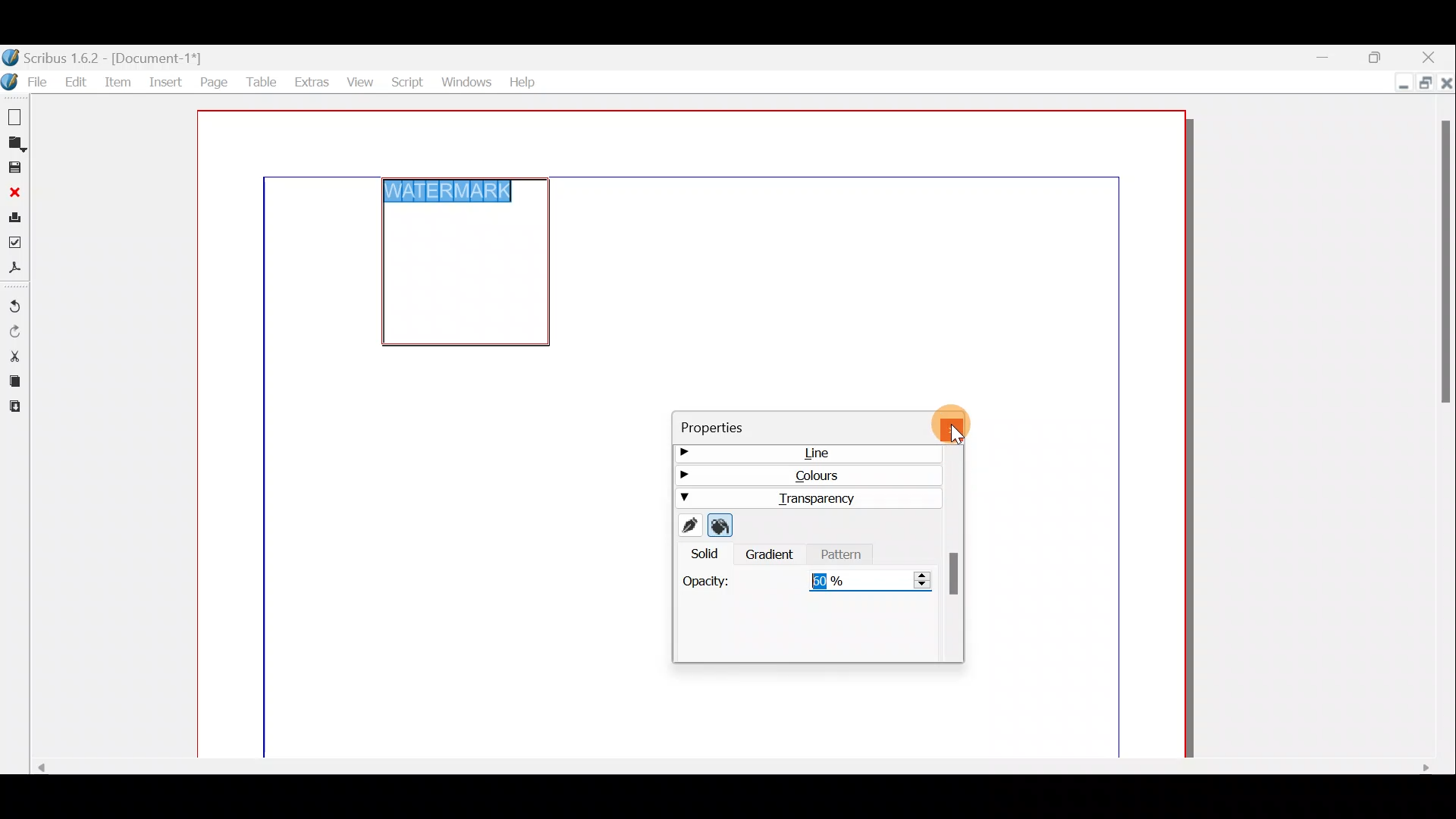 The image size is (1456, 819). I want to click on Preflight verifier, so click(15, 246).